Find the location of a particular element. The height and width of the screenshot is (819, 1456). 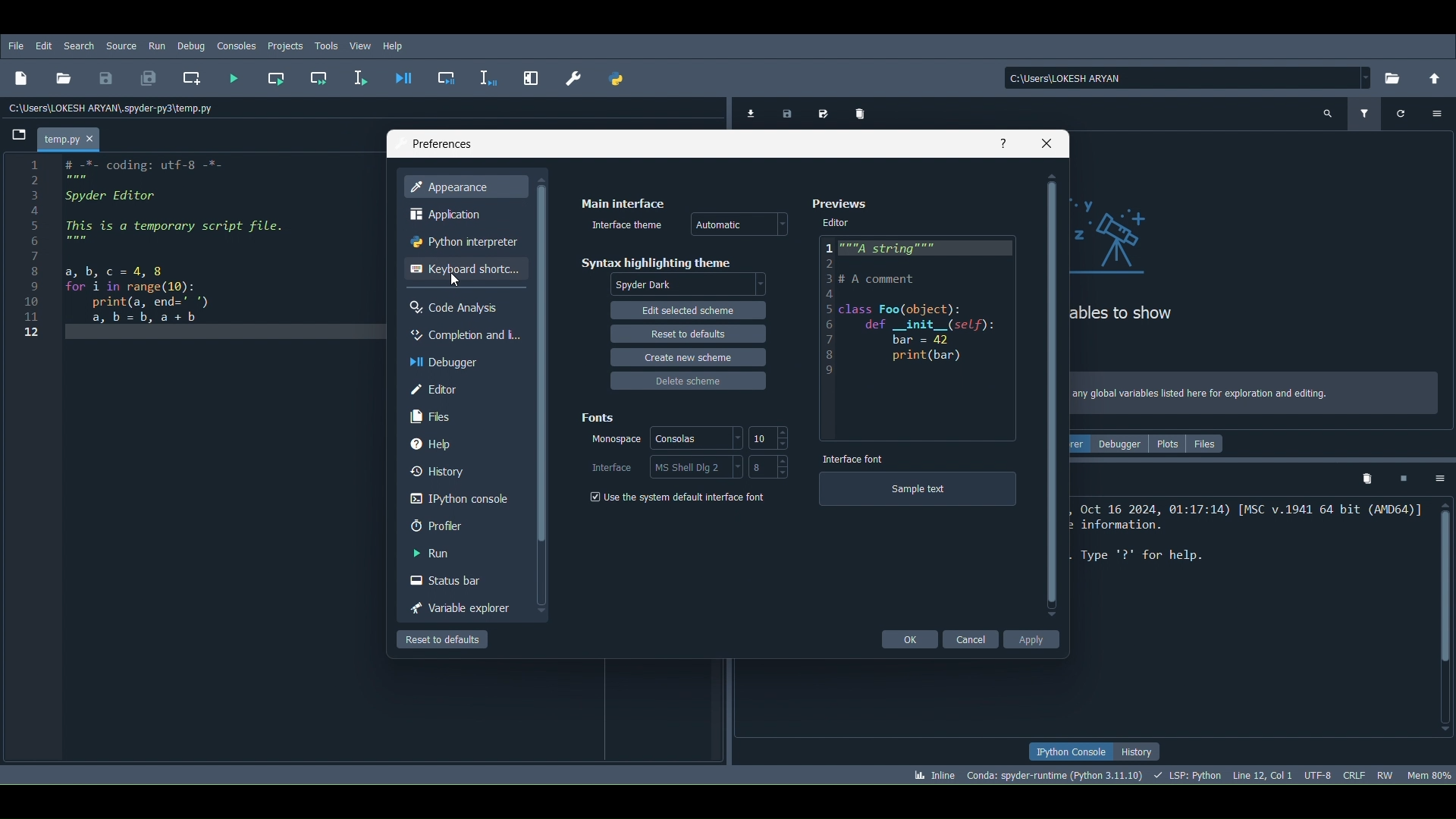

History is located at coordinates (1139, 752).